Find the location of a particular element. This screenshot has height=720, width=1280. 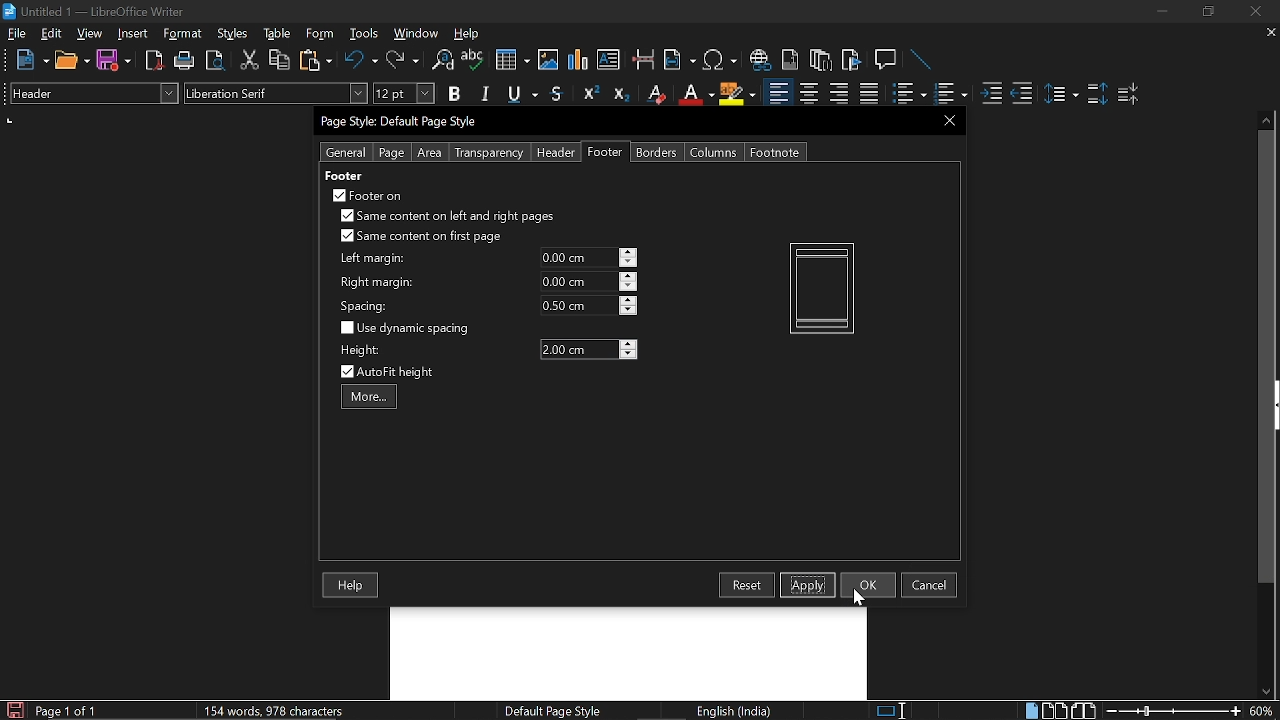

increase spacing is located at coordinates (629, 299).